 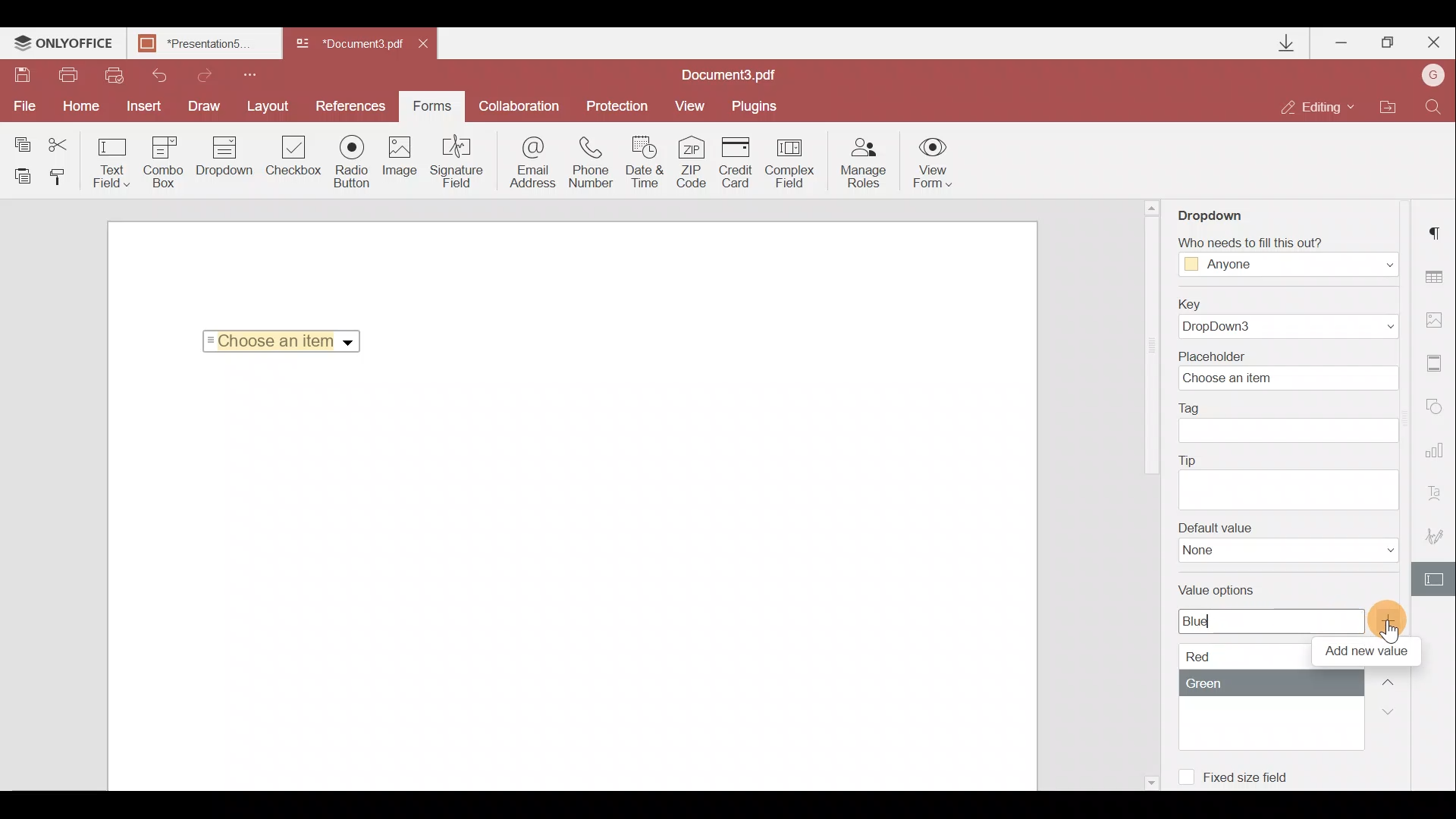 I want to click on Maximize, so click(x=1387, y=45).